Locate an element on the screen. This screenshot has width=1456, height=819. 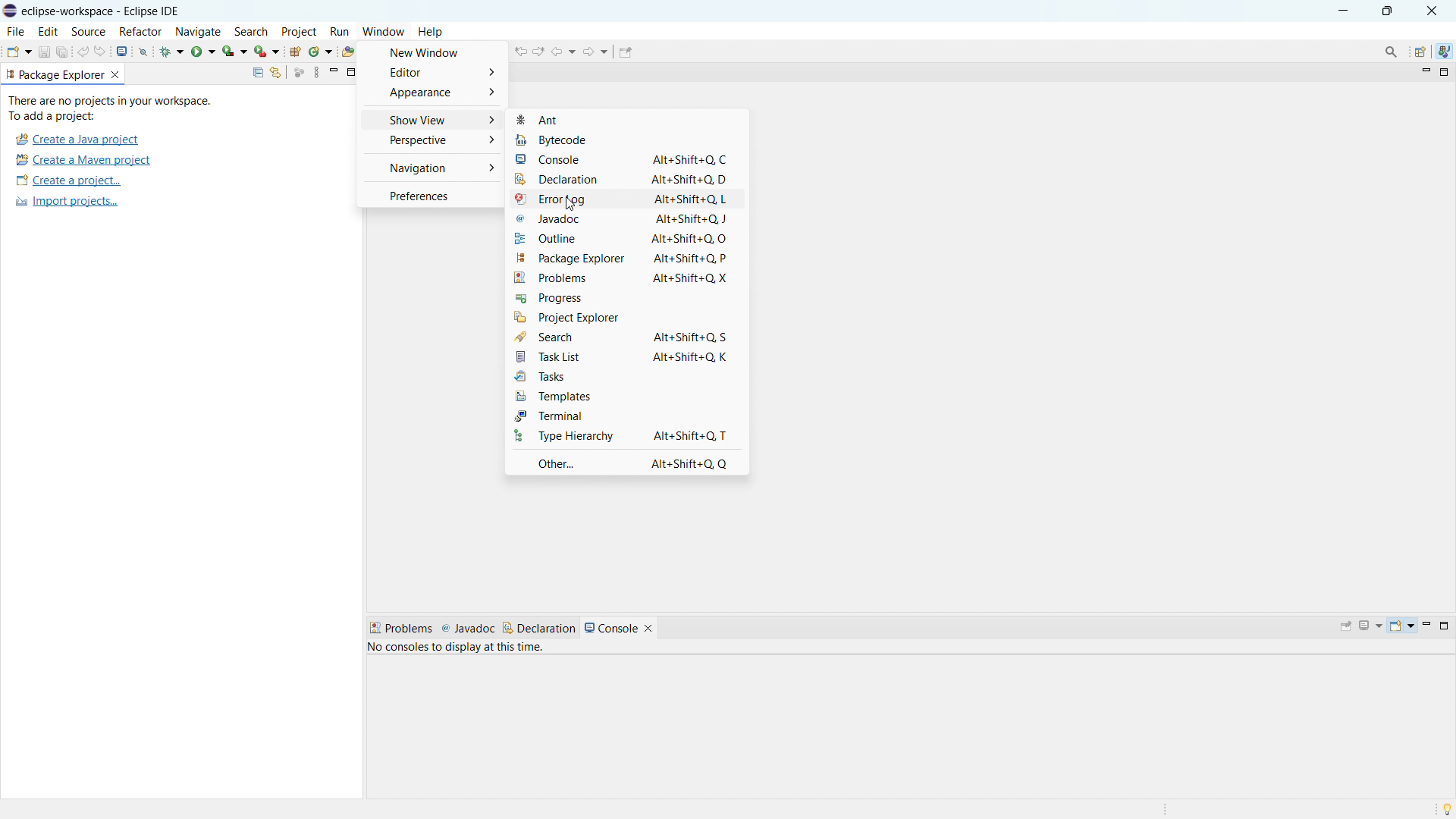
minimize is located at coordinates (1426, 625).